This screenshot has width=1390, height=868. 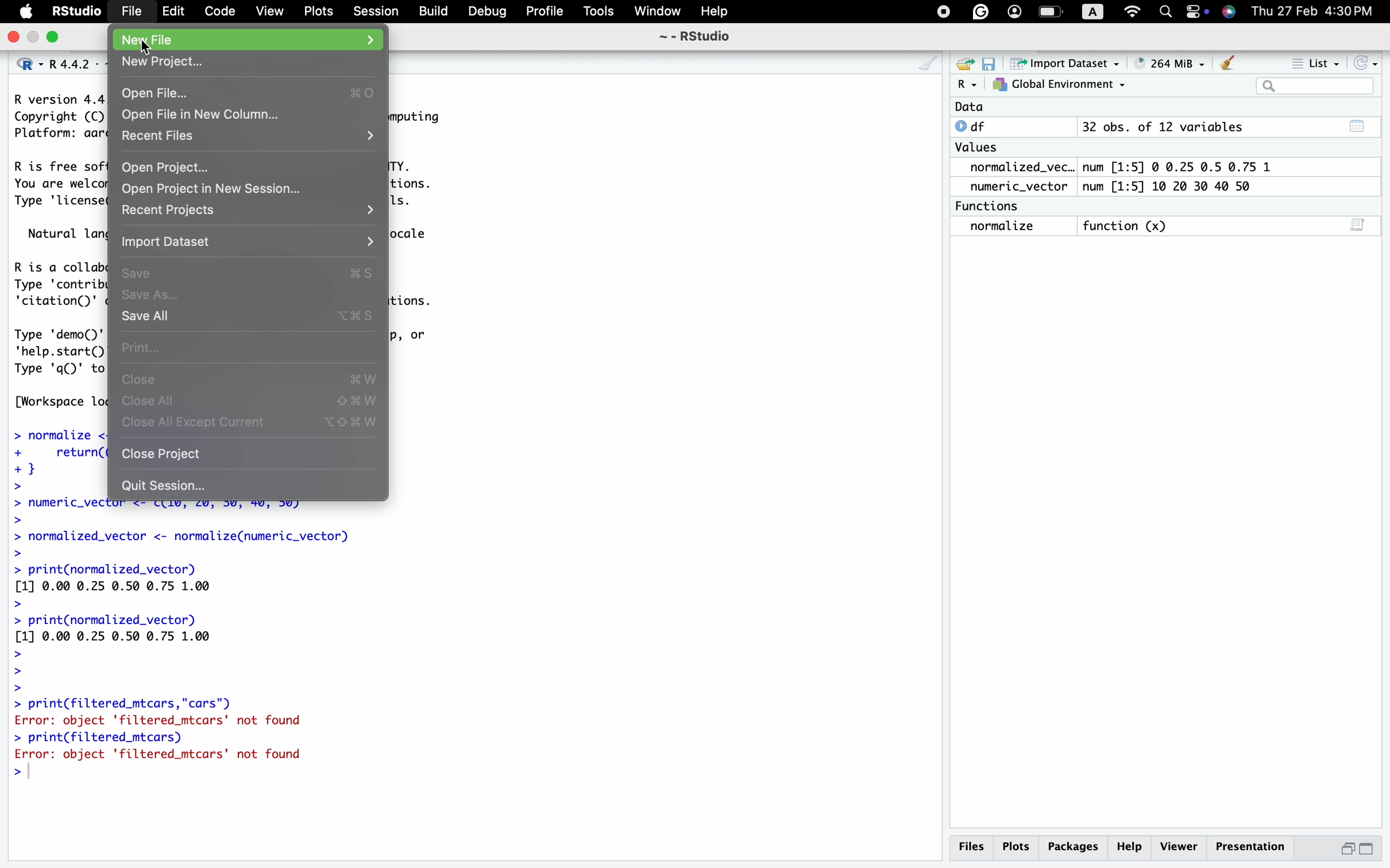 What do you see at coordinates (701, 36) in the screenshot?
I see `~ - RStudio` at bounding box center [701, 36].